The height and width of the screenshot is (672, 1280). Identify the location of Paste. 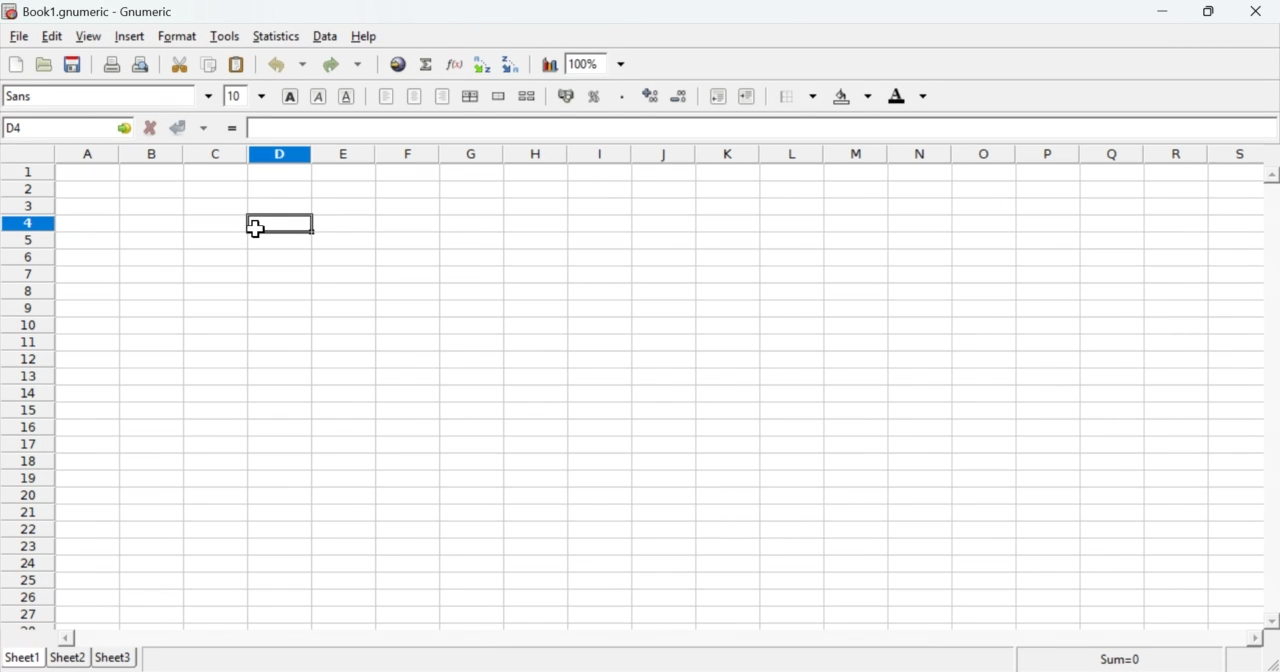
(236, 65).